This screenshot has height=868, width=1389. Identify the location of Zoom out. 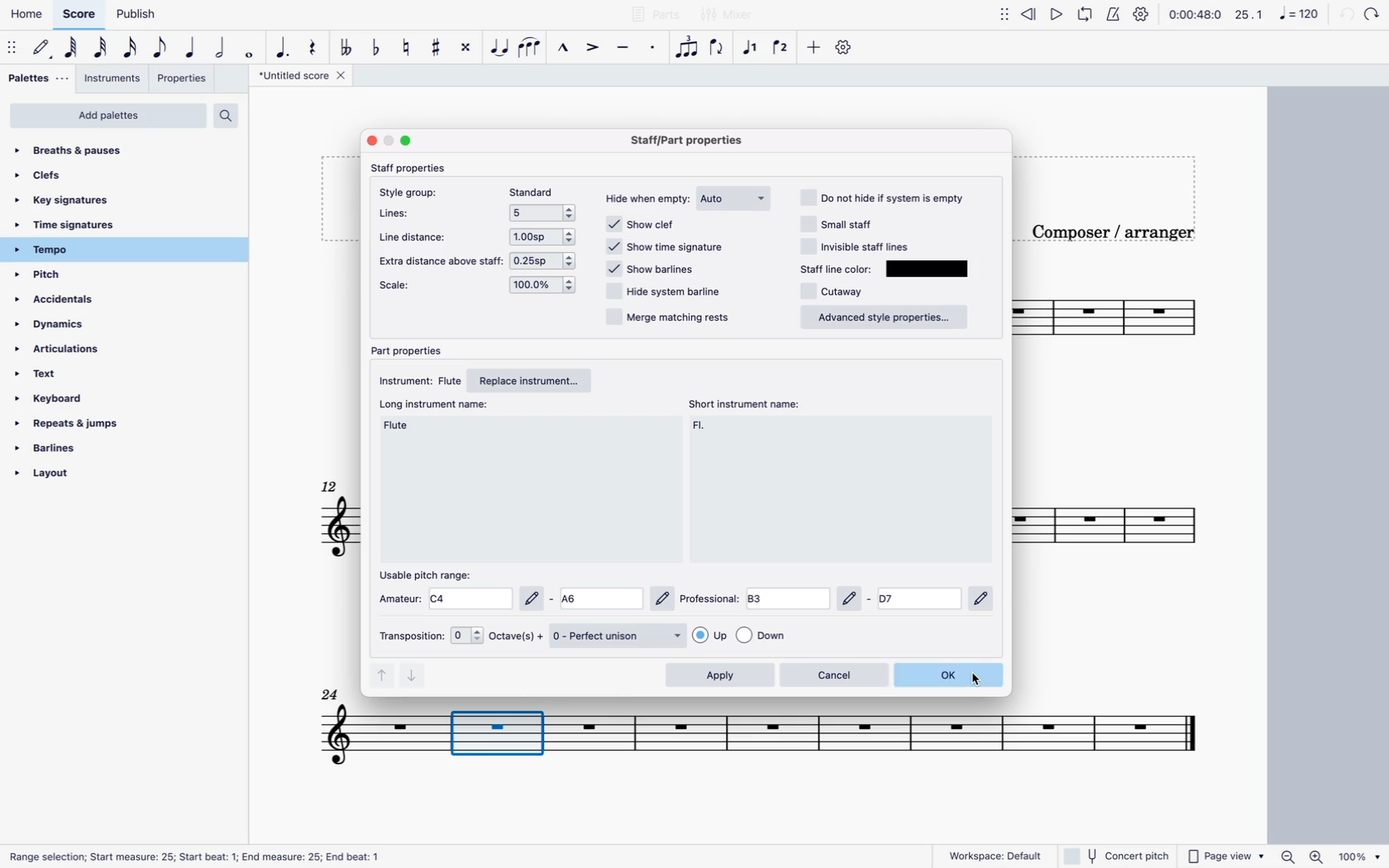
(1287, 856).